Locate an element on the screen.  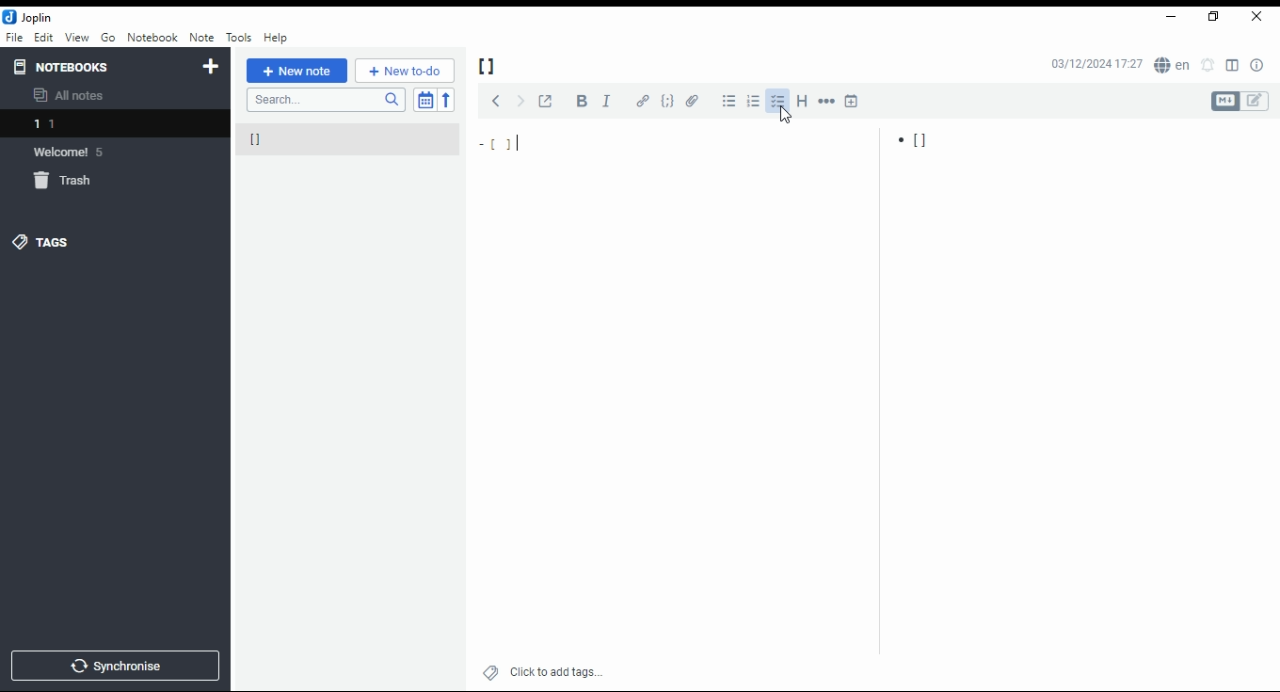
bulleted list is located at coordinates (727, 101).